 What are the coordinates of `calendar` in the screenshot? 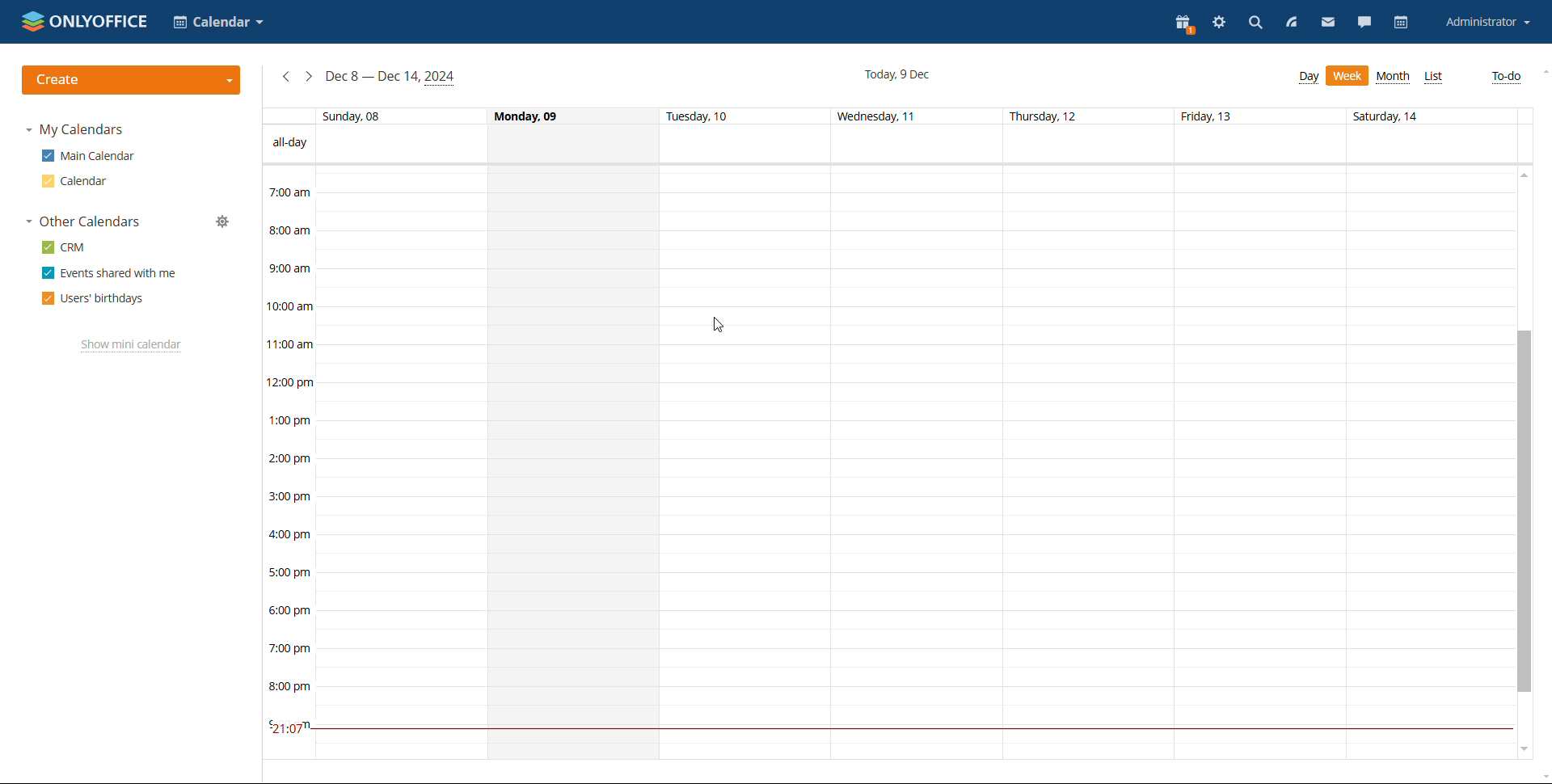 It's located at (72, 181).